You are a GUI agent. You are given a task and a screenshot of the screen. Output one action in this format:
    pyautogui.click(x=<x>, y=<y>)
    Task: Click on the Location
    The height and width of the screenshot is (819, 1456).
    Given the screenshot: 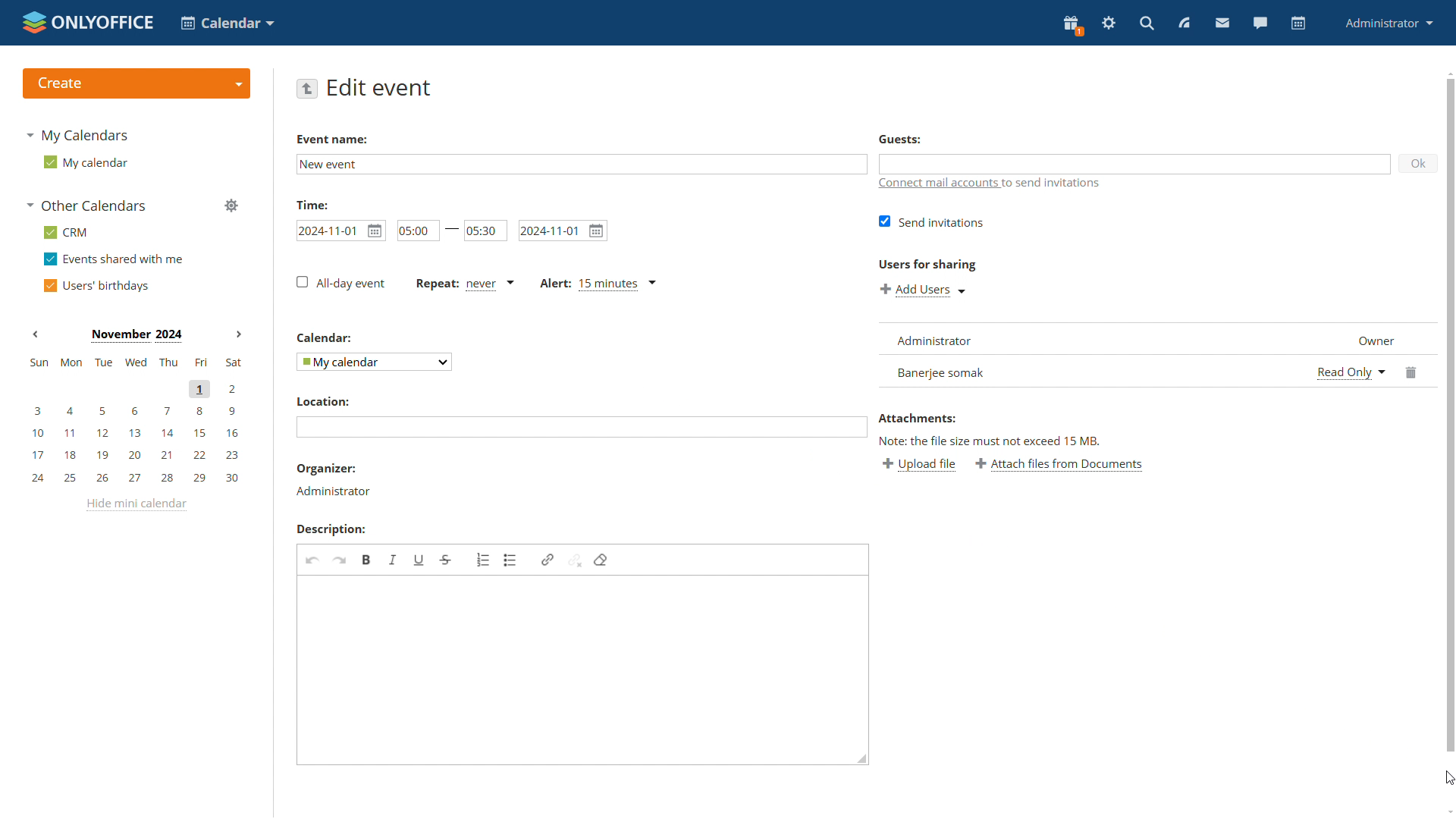 What is the action you would take?
    pyautogui.click(x=322, y=402)
    